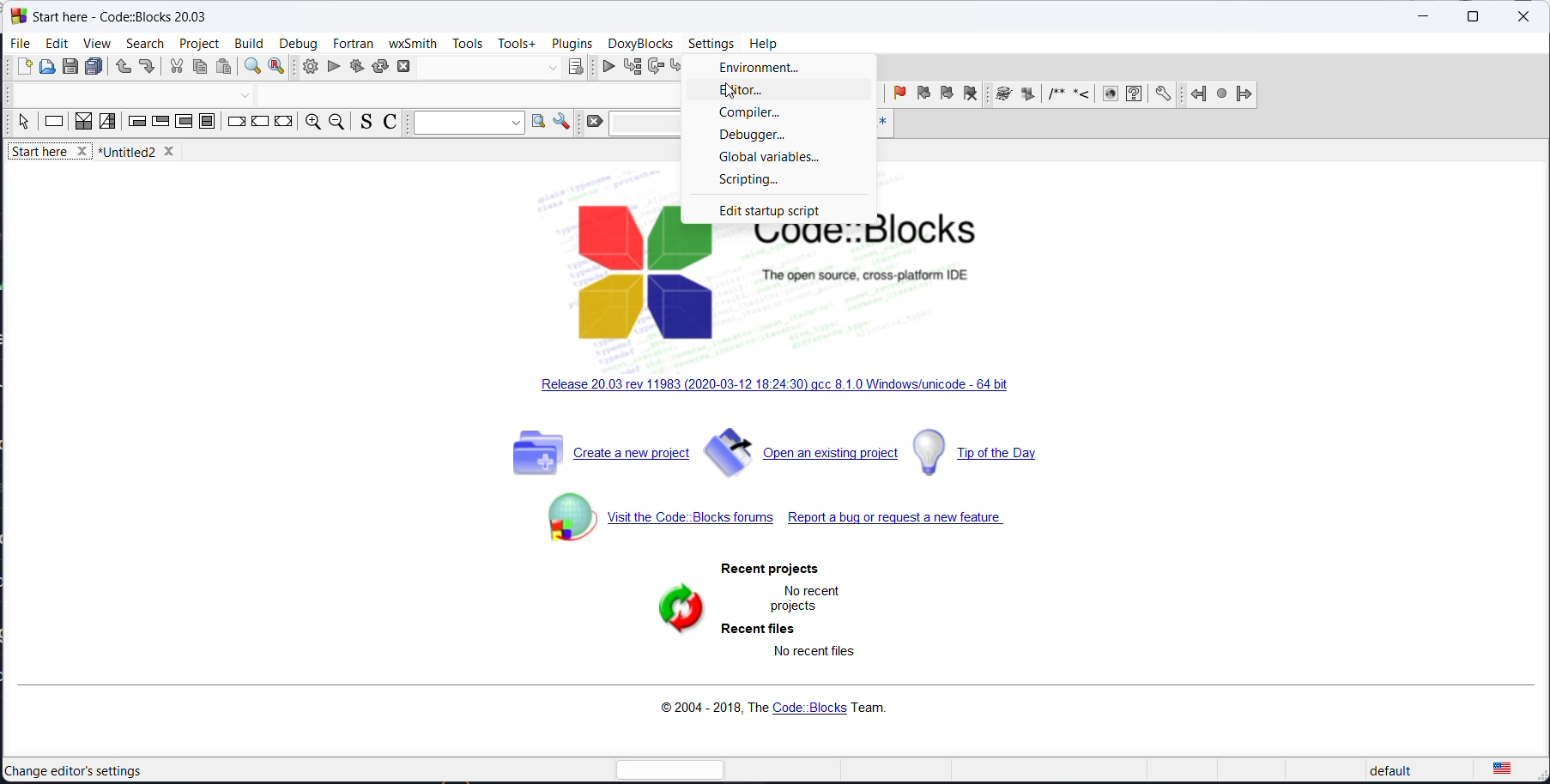  I want to click on decision, so click(84, 123).